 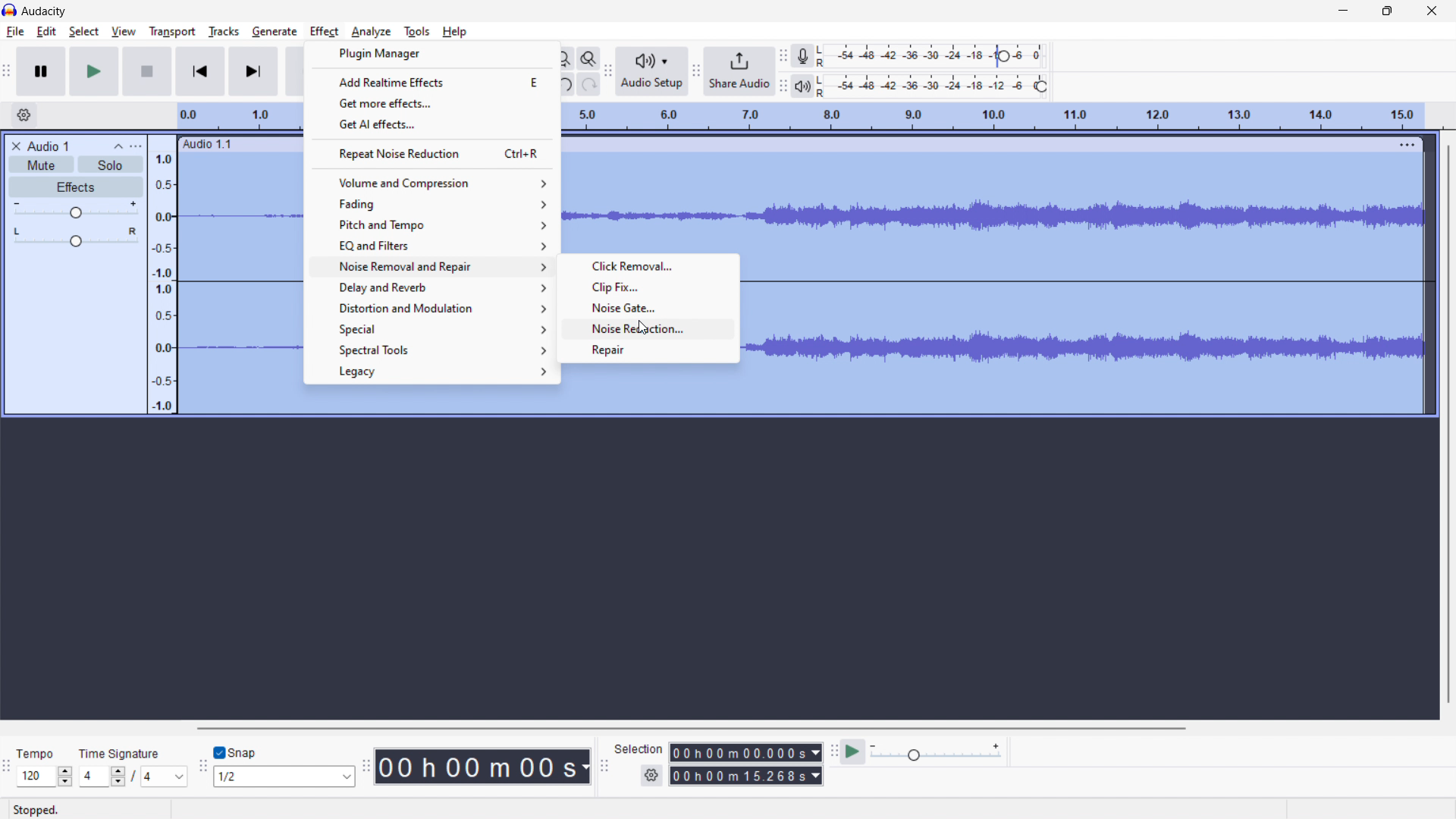 I want to click on play, so click(x=96, y=71).